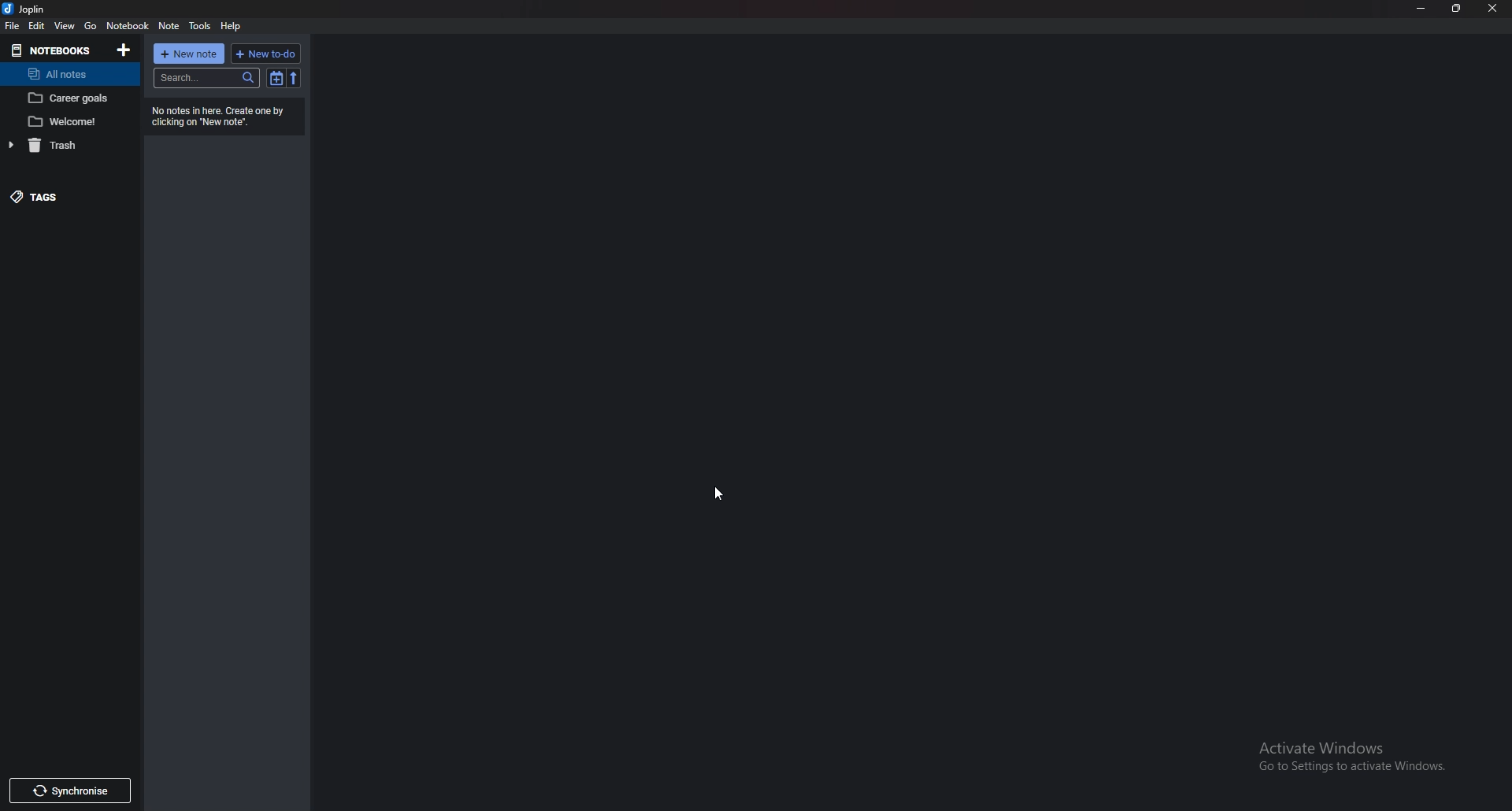 Image resolution: width=1512 pixels, height=811 pixels. I want to click on note, so click(169, 25).